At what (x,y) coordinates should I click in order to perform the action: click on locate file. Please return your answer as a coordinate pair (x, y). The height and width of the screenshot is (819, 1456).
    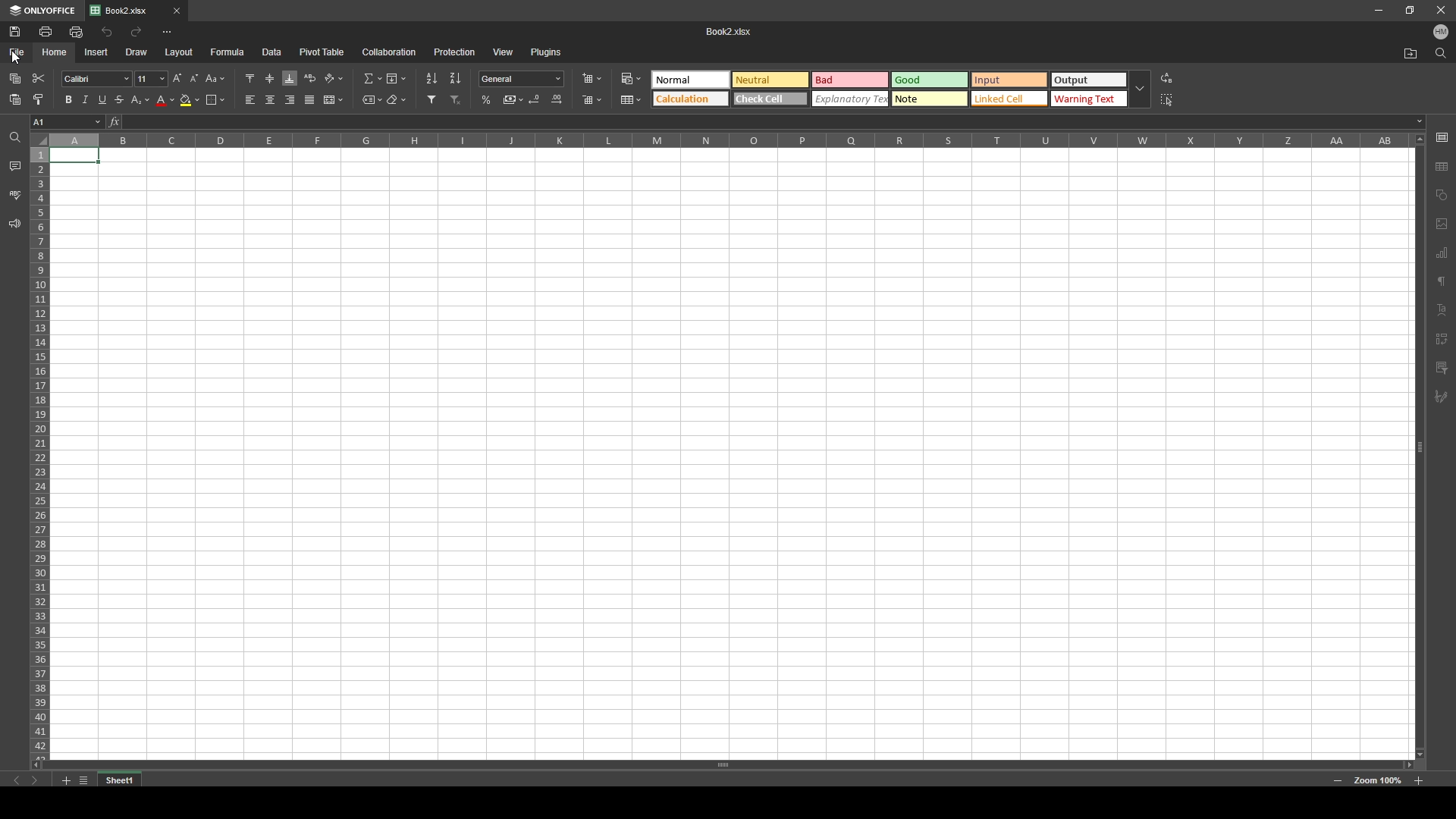
    Looking at the image, I should click on (1411, 53).